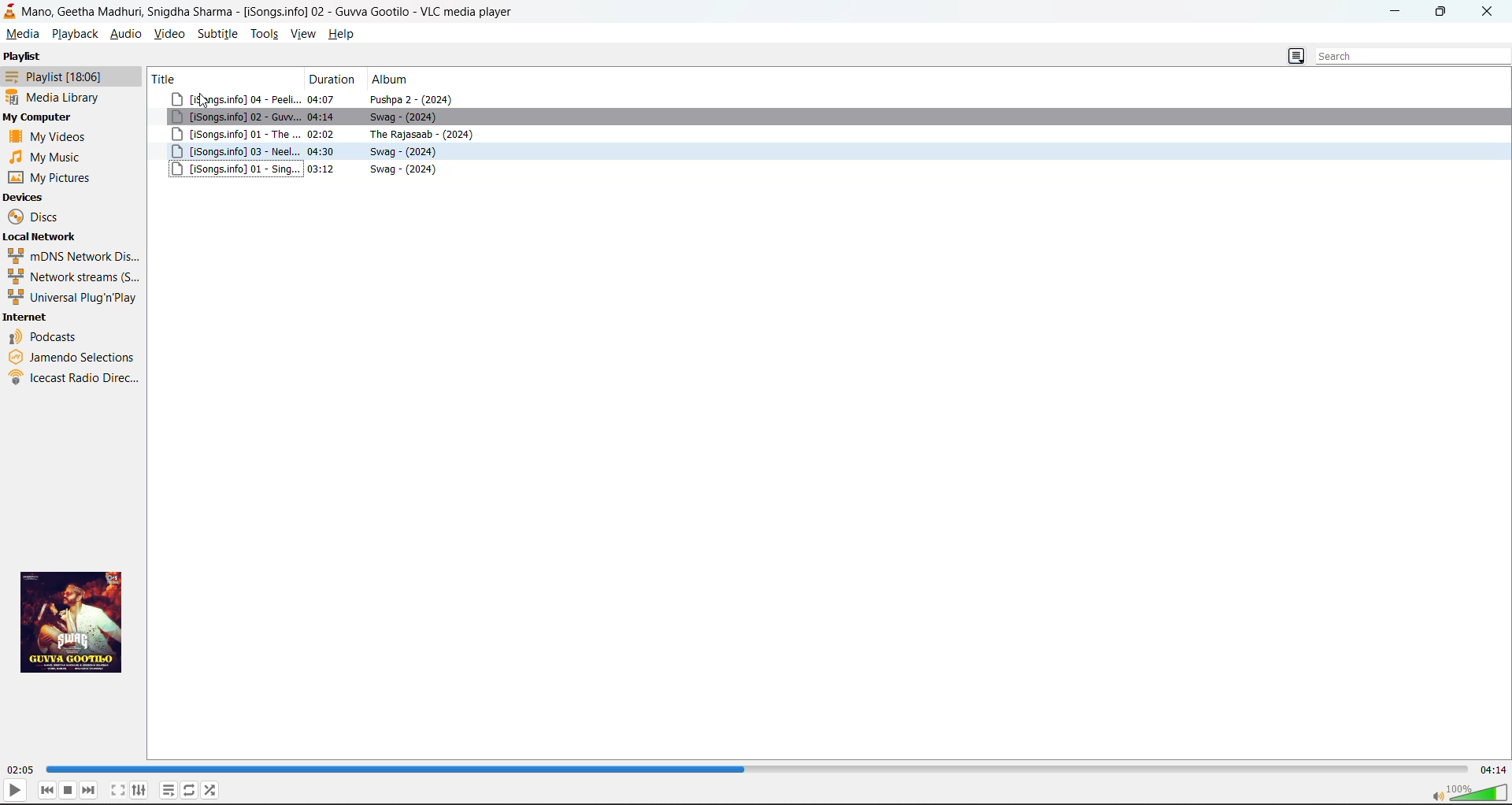 The width and height of the screenshot is (1512, 805). I want to click on run time, so click(20, 771).